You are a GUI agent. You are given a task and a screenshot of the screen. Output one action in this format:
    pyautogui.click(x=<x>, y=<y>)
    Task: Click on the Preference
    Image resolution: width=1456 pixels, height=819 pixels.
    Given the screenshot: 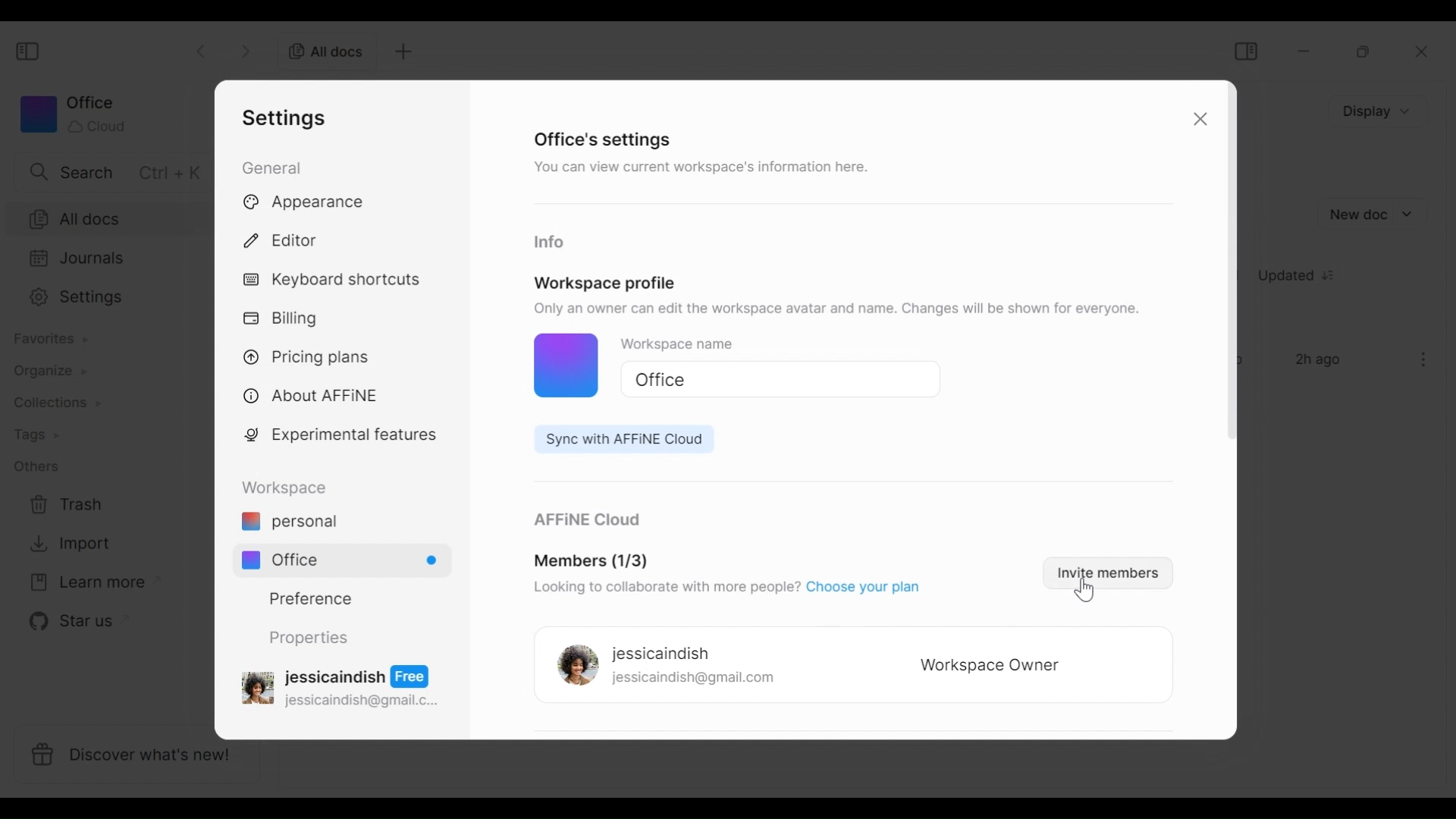 What is the action you would take?
    pyautogui.click(x=305, y=598)
    